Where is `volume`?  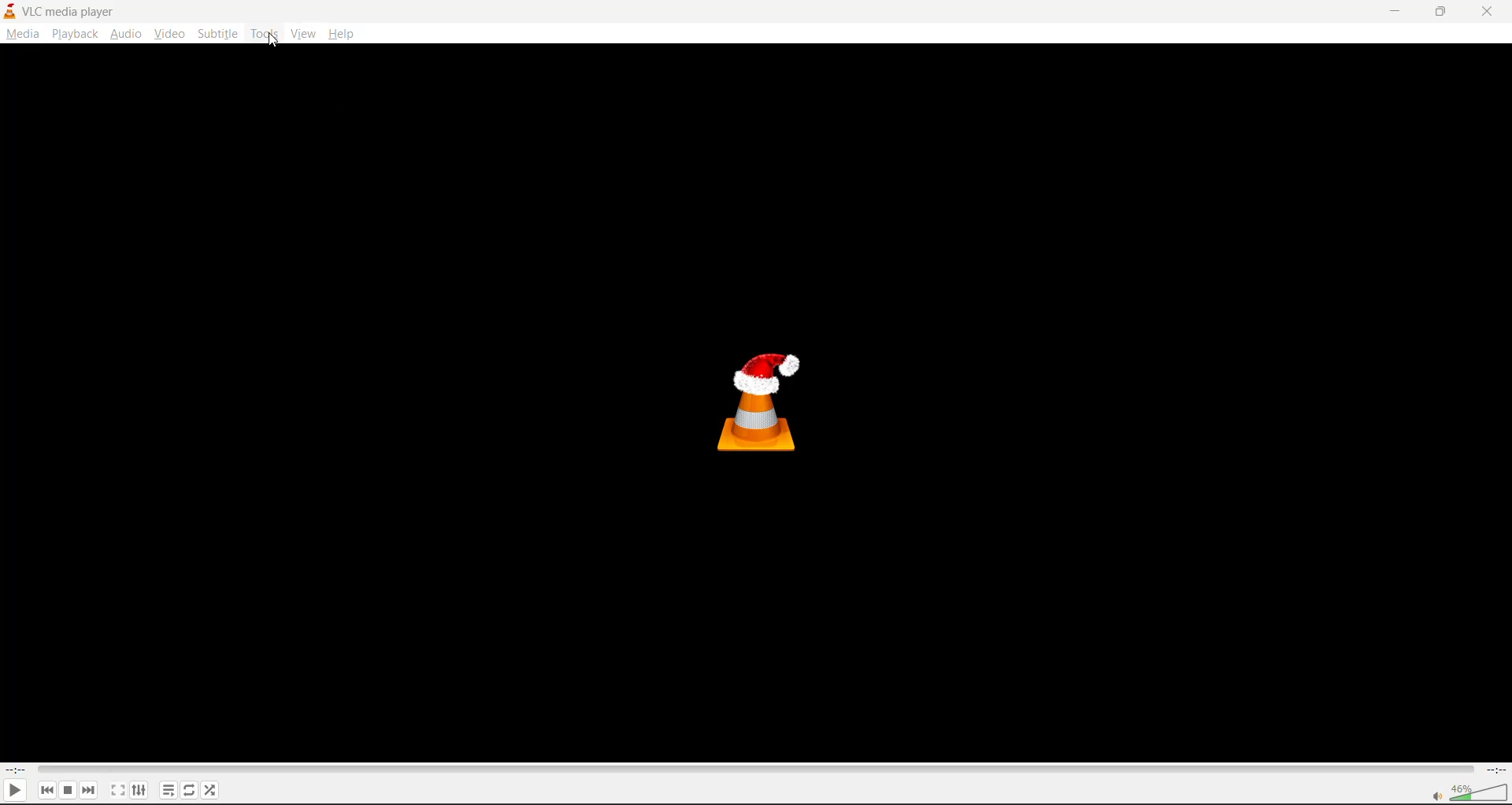
volume is located at coordinates (1466, 792).